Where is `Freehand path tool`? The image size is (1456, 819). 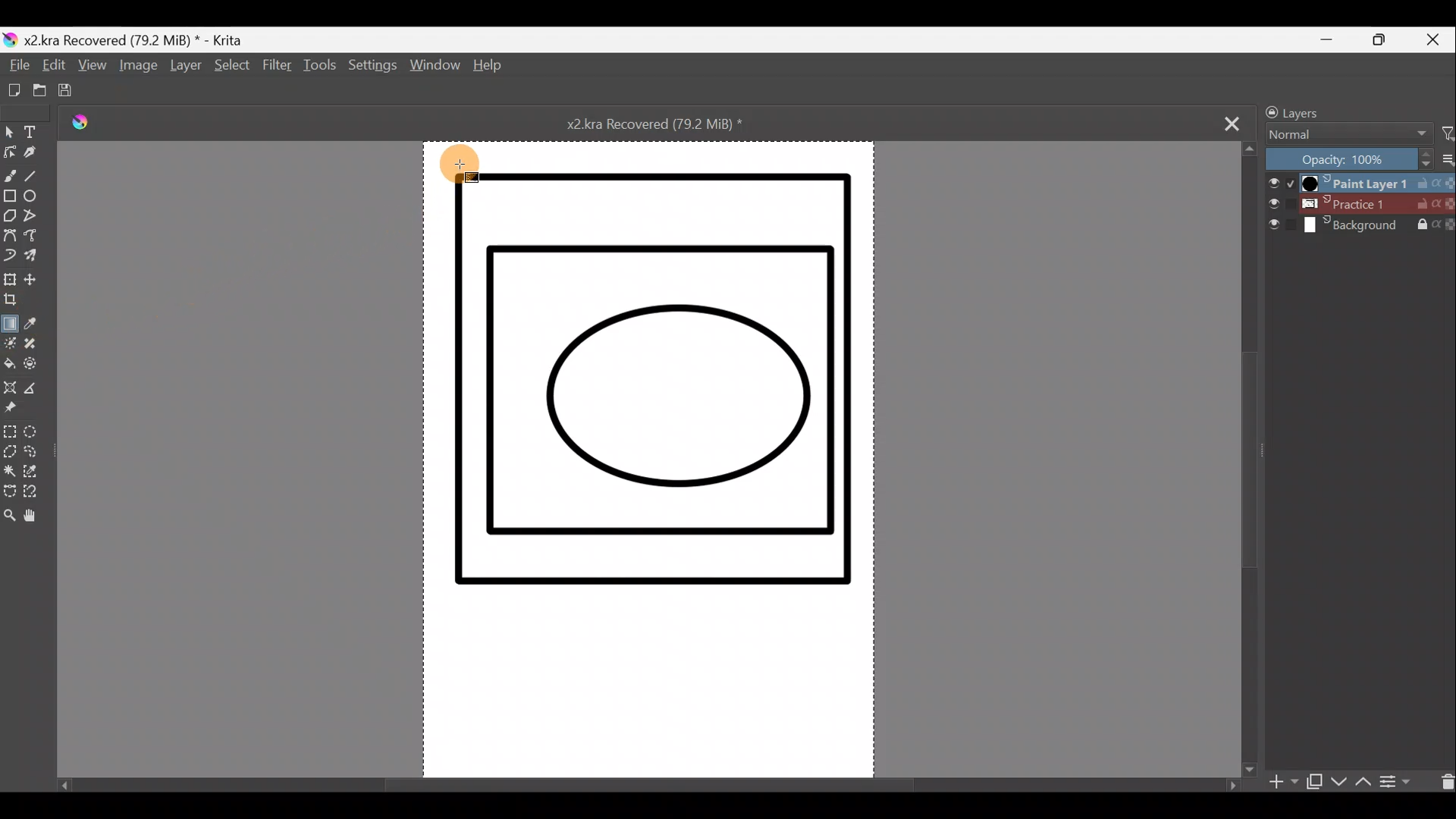
Freehand path tool is located at coordinates (36, 240).